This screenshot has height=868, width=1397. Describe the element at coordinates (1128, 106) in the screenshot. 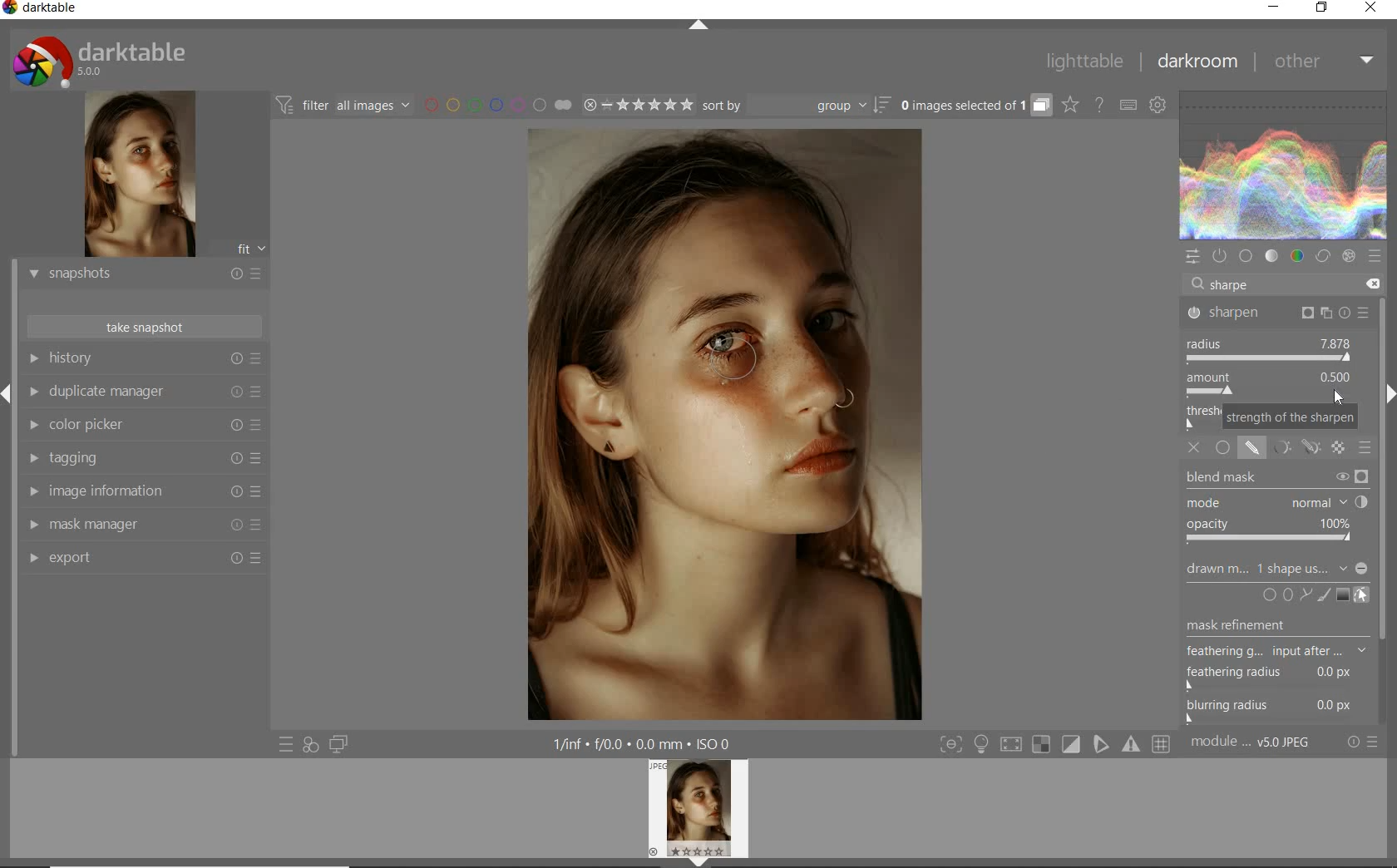

I see `set keyboard shortcuts` at that location.